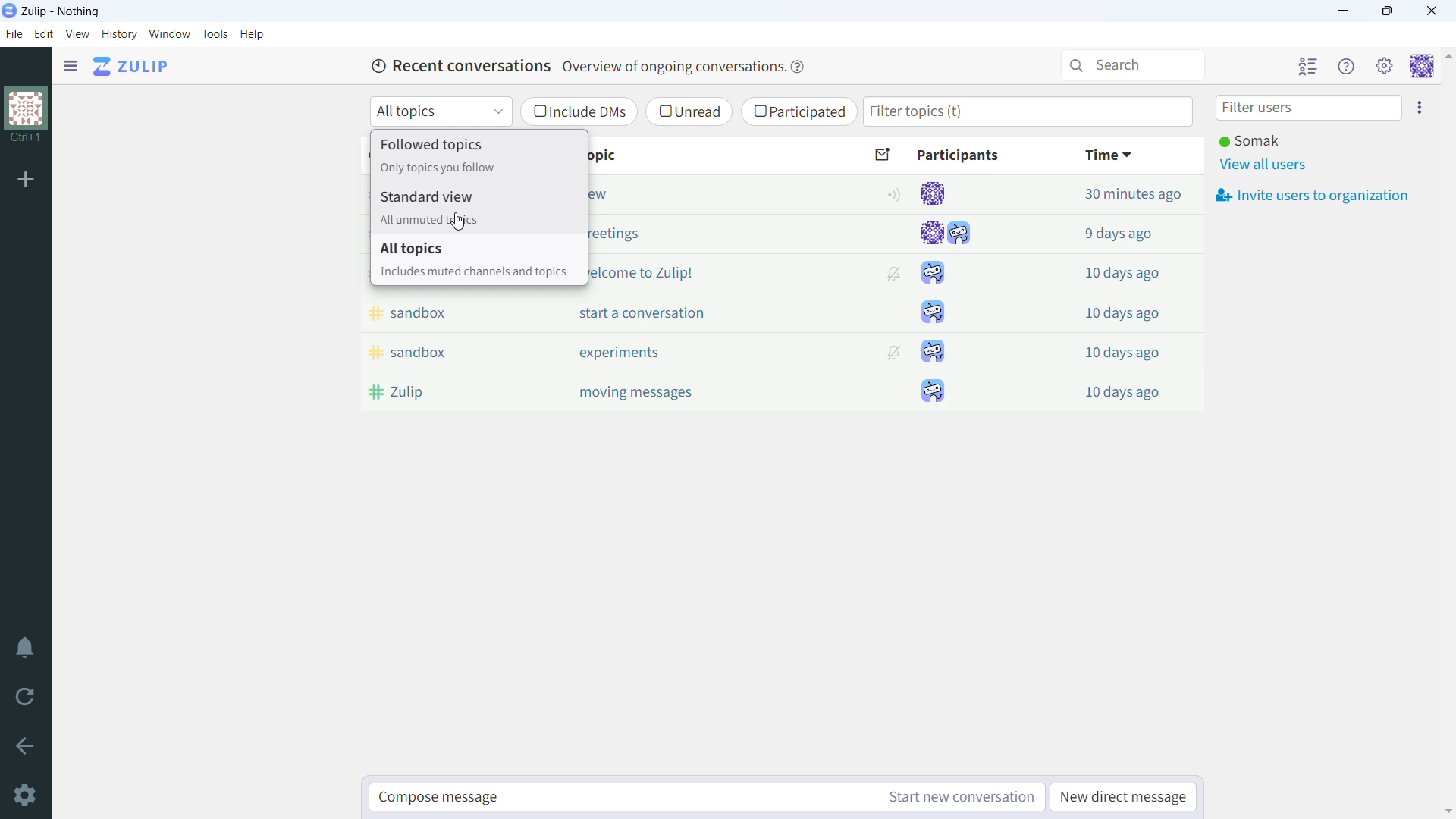 This screenshot has height=819, width=1456. What do you see at coordinates (1308, 65) in the screenshot?
I see `hide user list` at bounding box center [1308, 65].